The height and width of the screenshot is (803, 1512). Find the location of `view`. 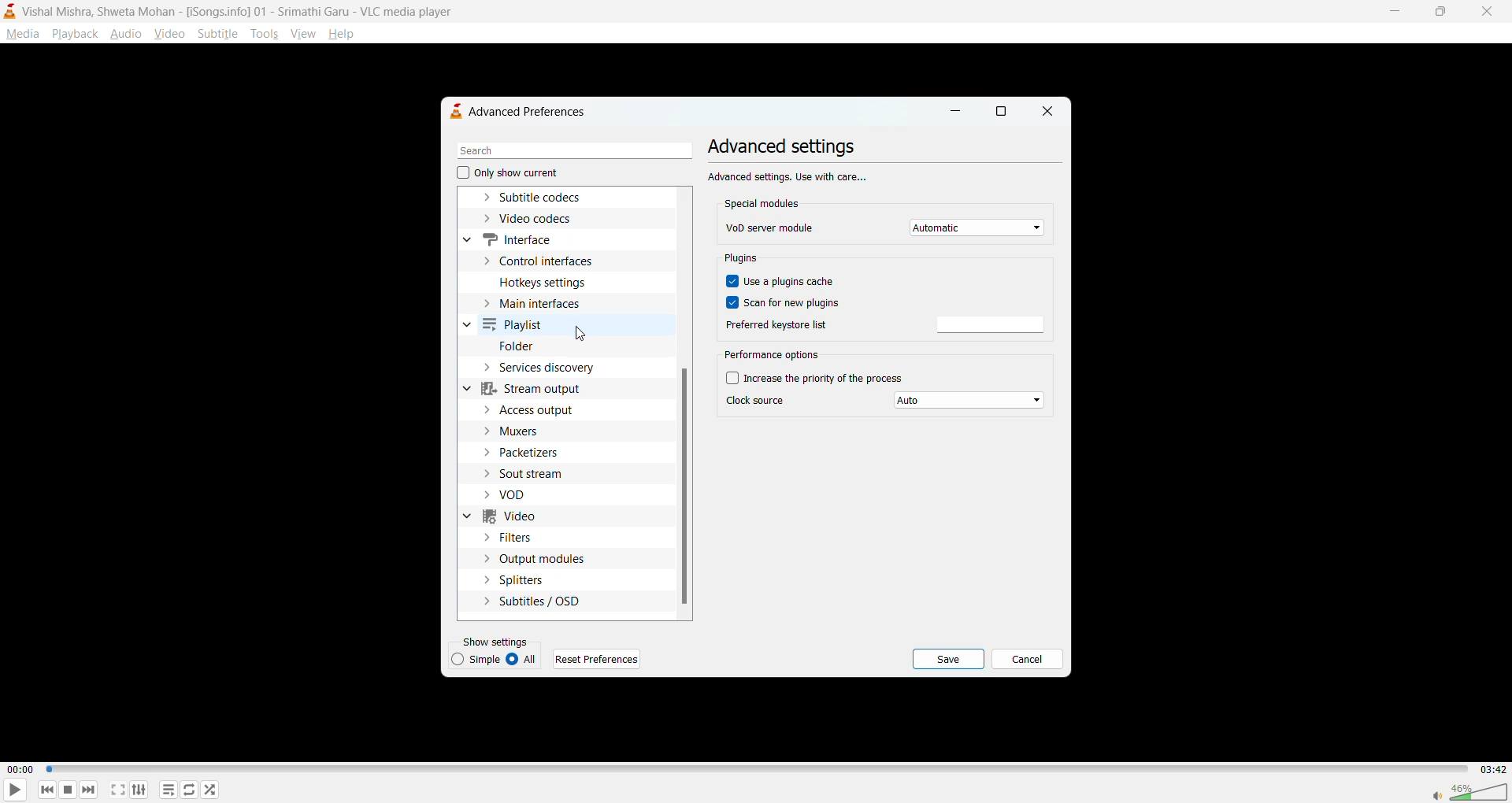

view is located at coordinates (302, 31).